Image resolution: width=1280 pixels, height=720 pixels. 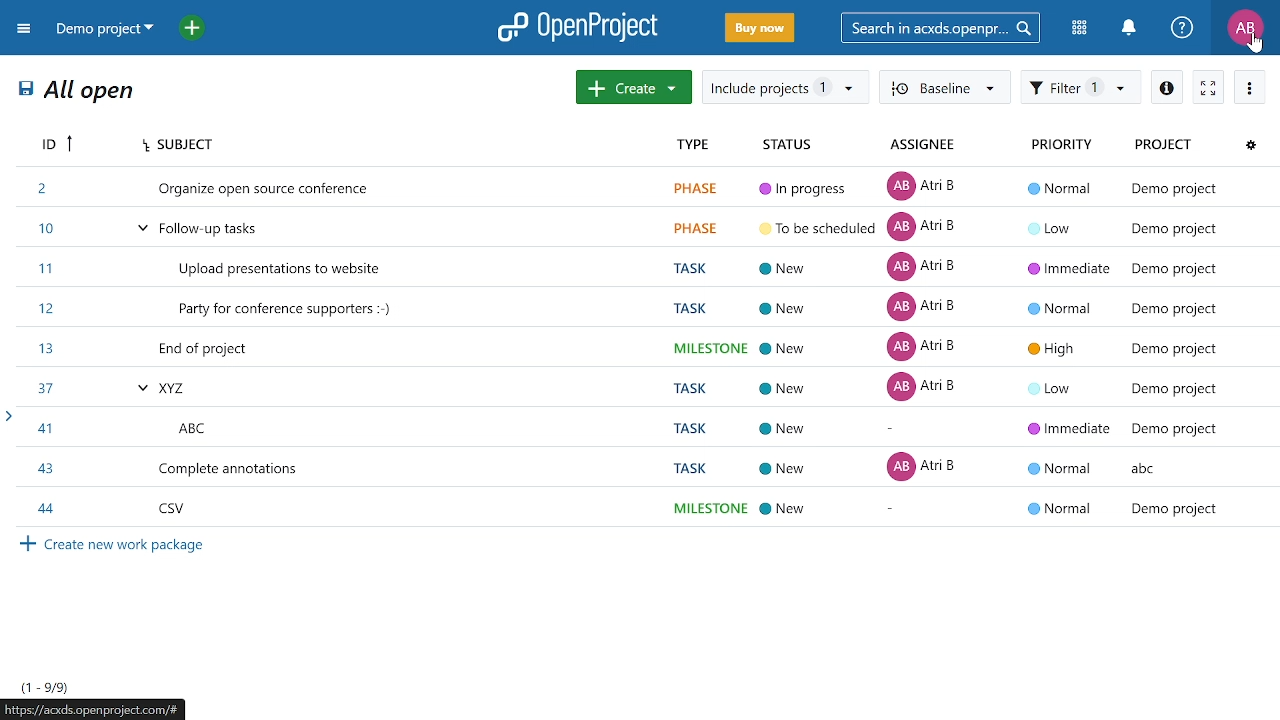 I want to click on filter, so click(x=1078, y=88).